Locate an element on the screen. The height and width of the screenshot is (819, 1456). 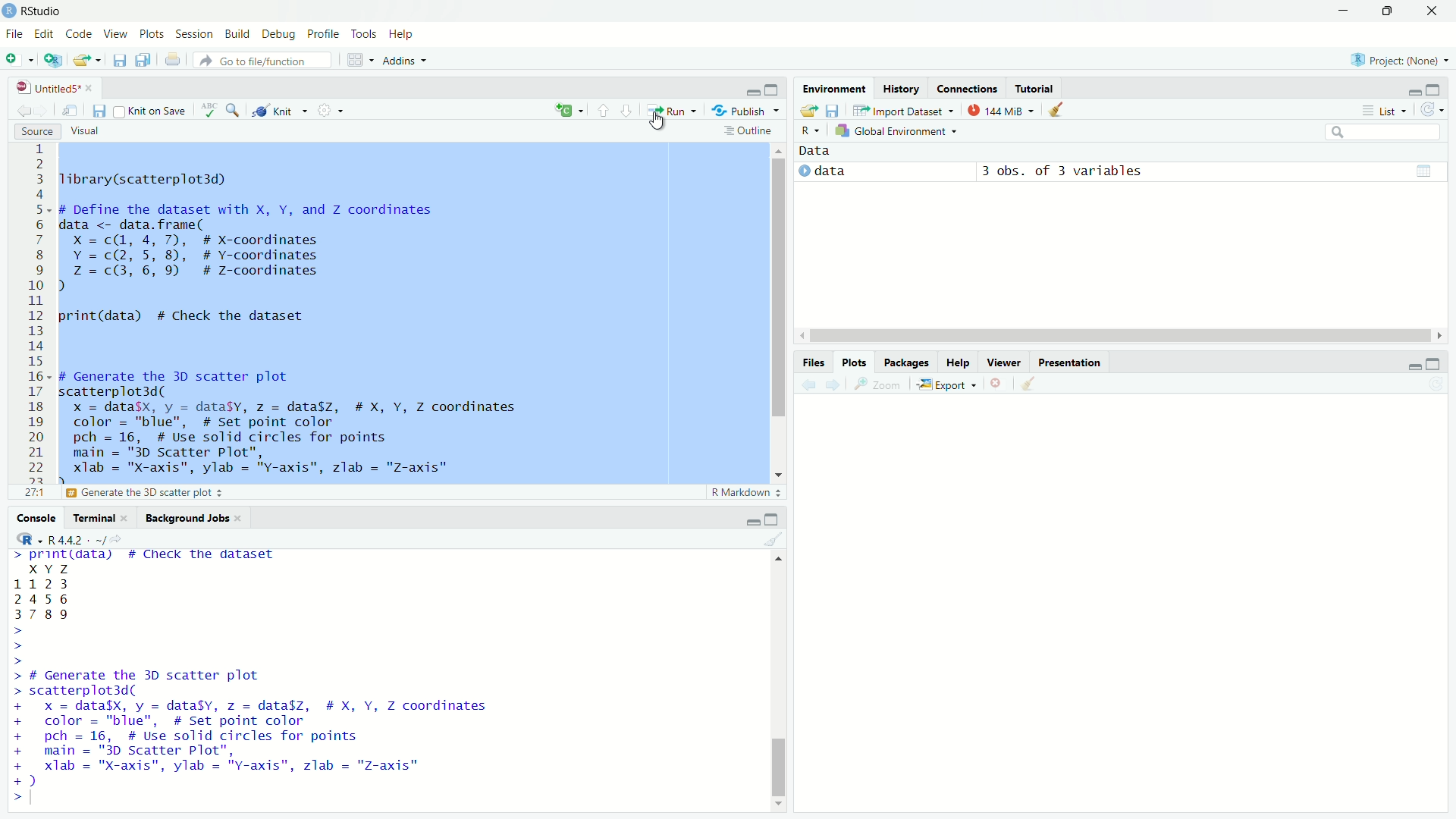
data table is located at coordinates (1429, 168).